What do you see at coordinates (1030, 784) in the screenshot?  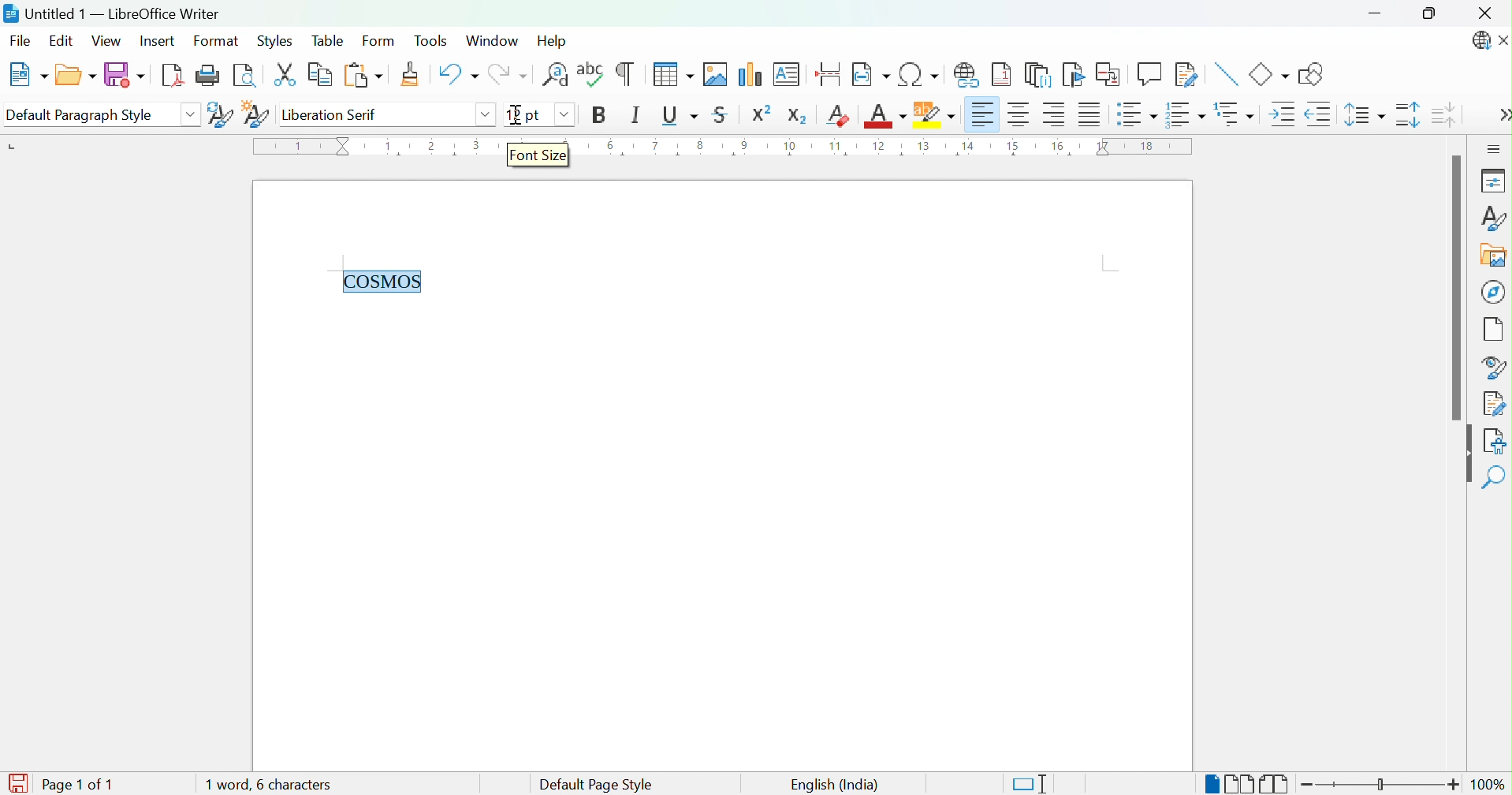 I see `Standard selection. Click to change the selection mode.` at bounding box center [1030, 784].